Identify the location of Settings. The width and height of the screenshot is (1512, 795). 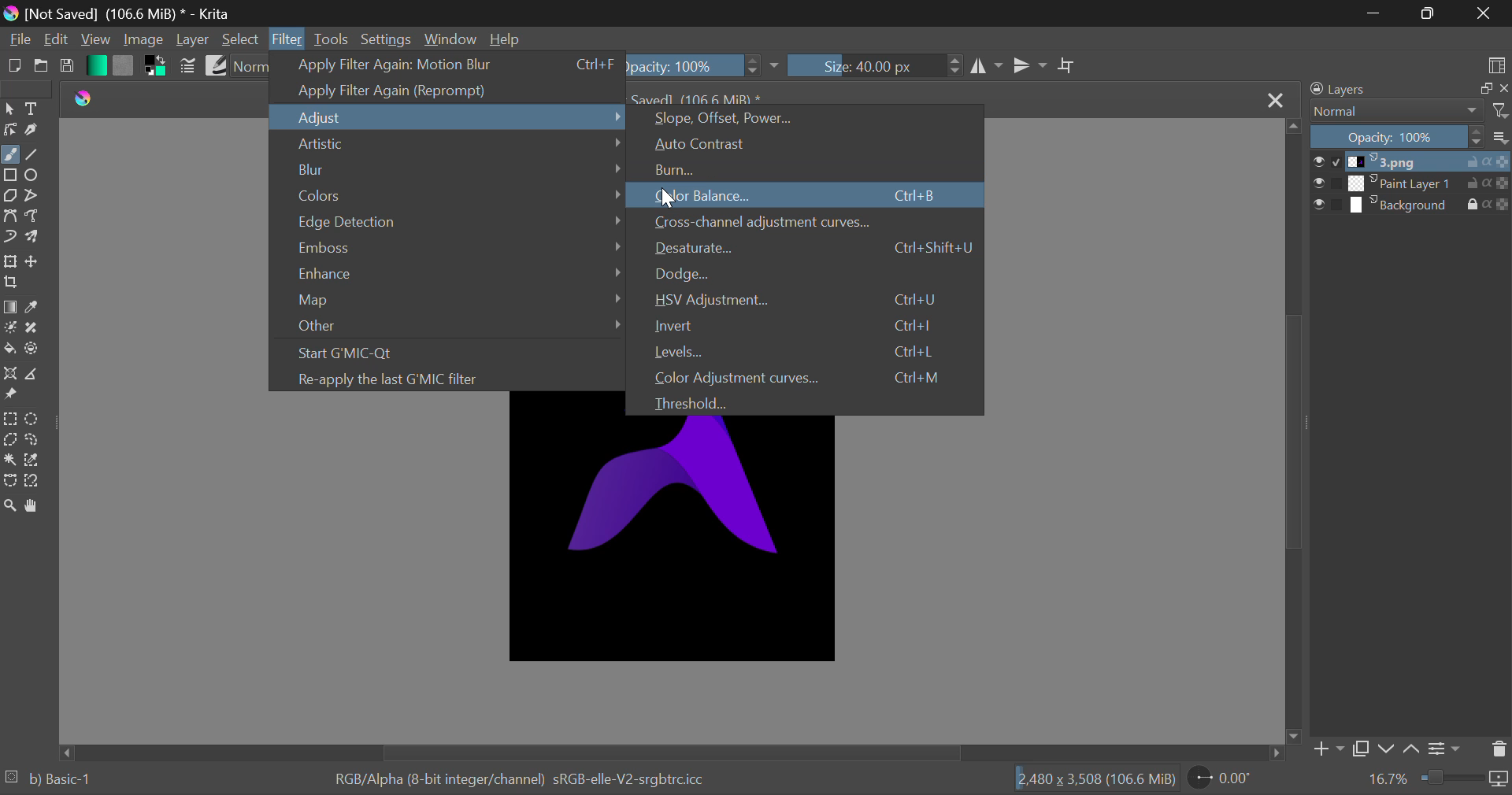
(387, 39).